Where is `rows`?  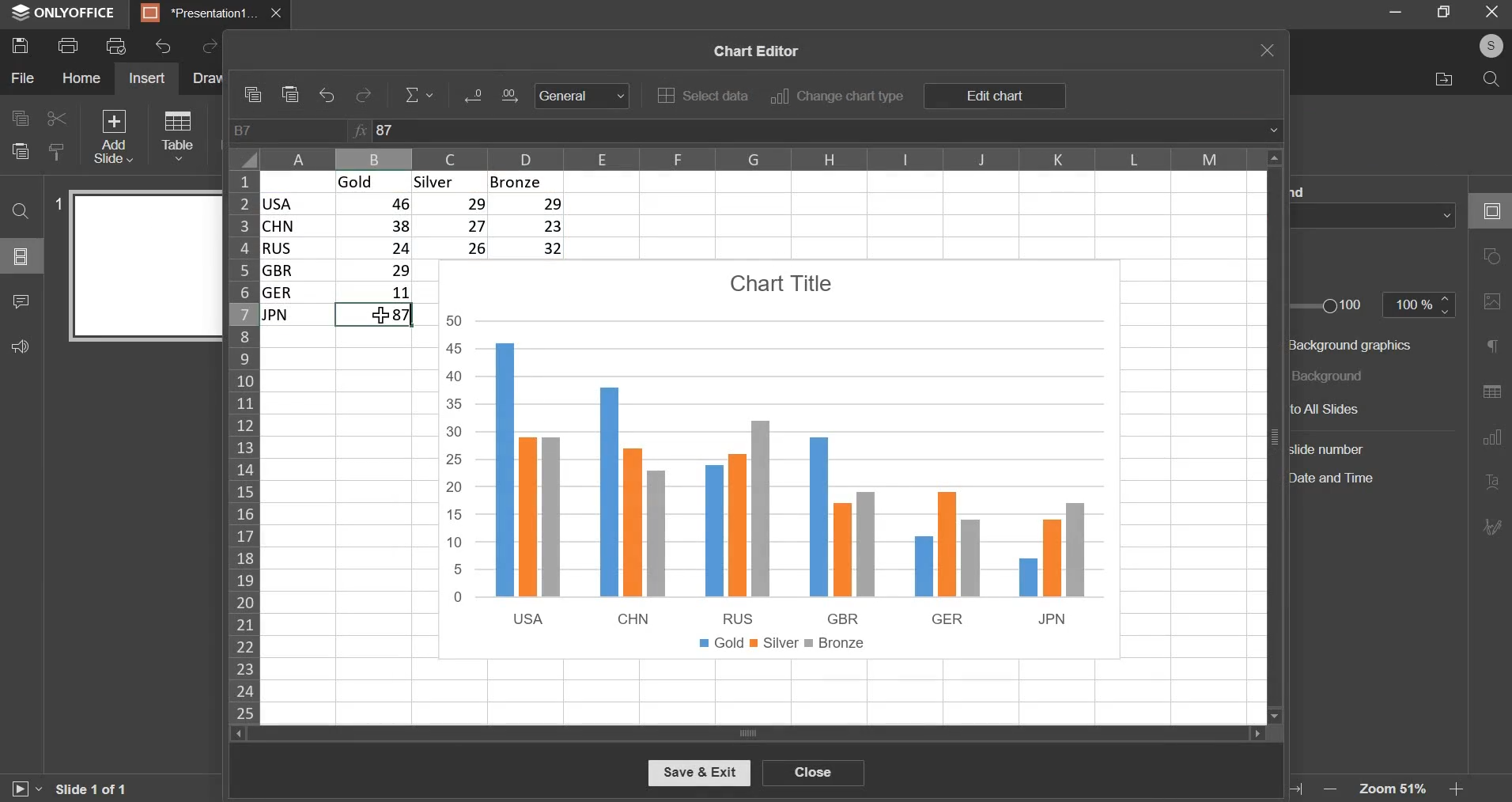
rows is located at coordinates (244, 445).